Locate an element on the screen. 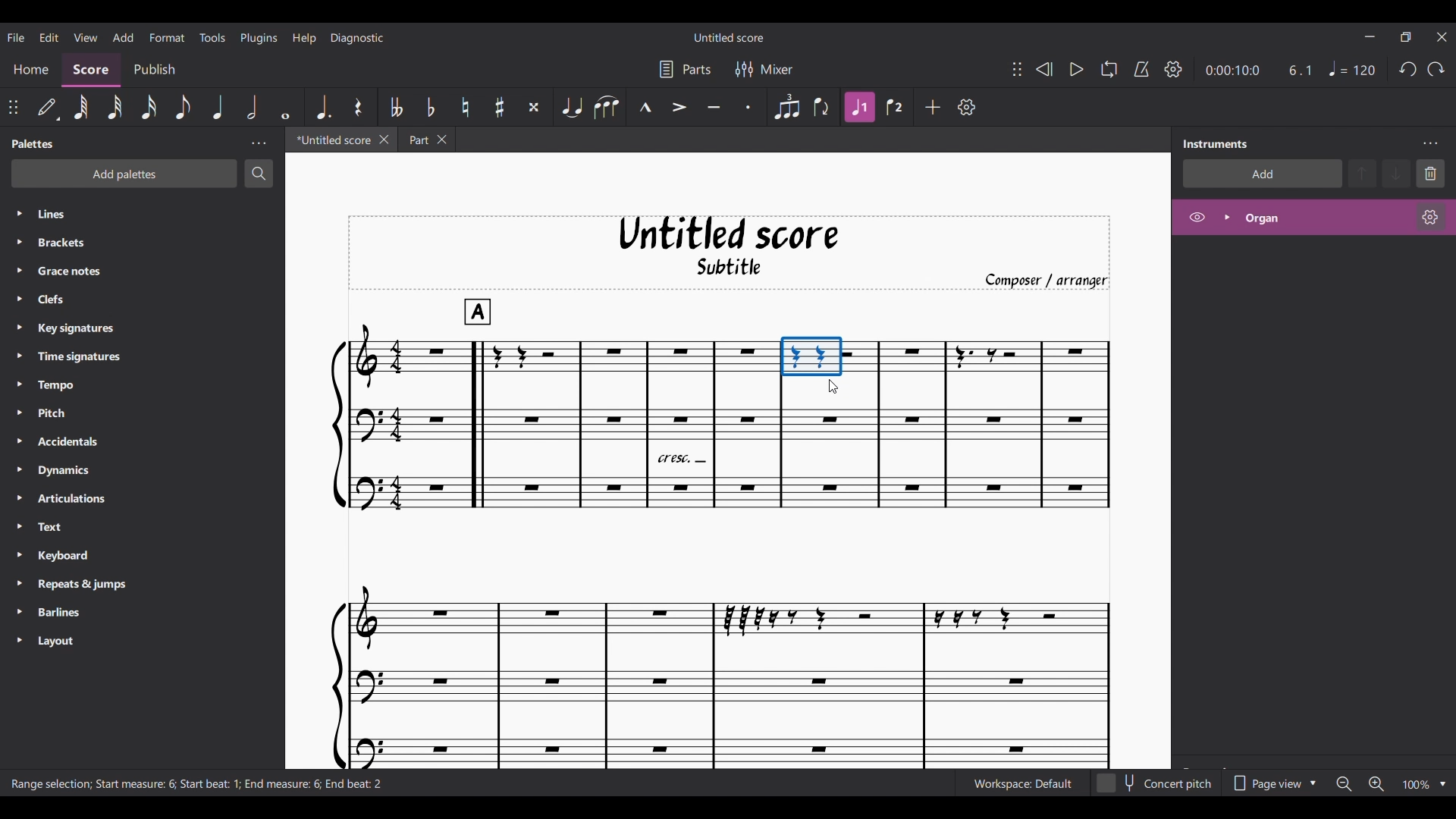 Image resolution: width=1456 pixels, height=819 pixels. Note selected by cursor highlighted is located at coordinates (812, 356).